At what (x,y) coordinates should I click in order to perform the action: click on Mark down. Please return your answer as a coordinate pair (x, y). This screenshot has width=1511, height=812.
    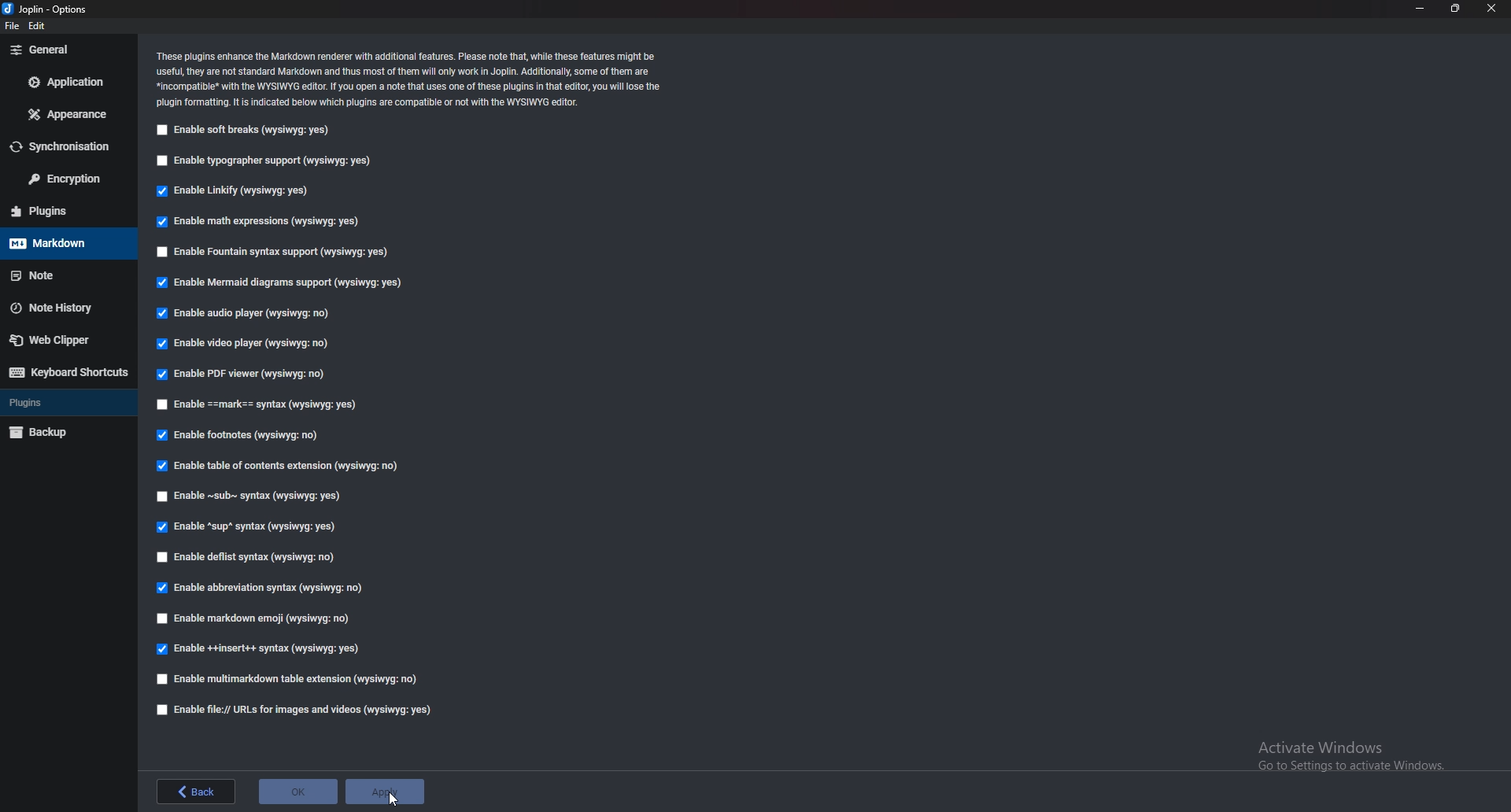
    Looking at the image, I should click on (62, 243).